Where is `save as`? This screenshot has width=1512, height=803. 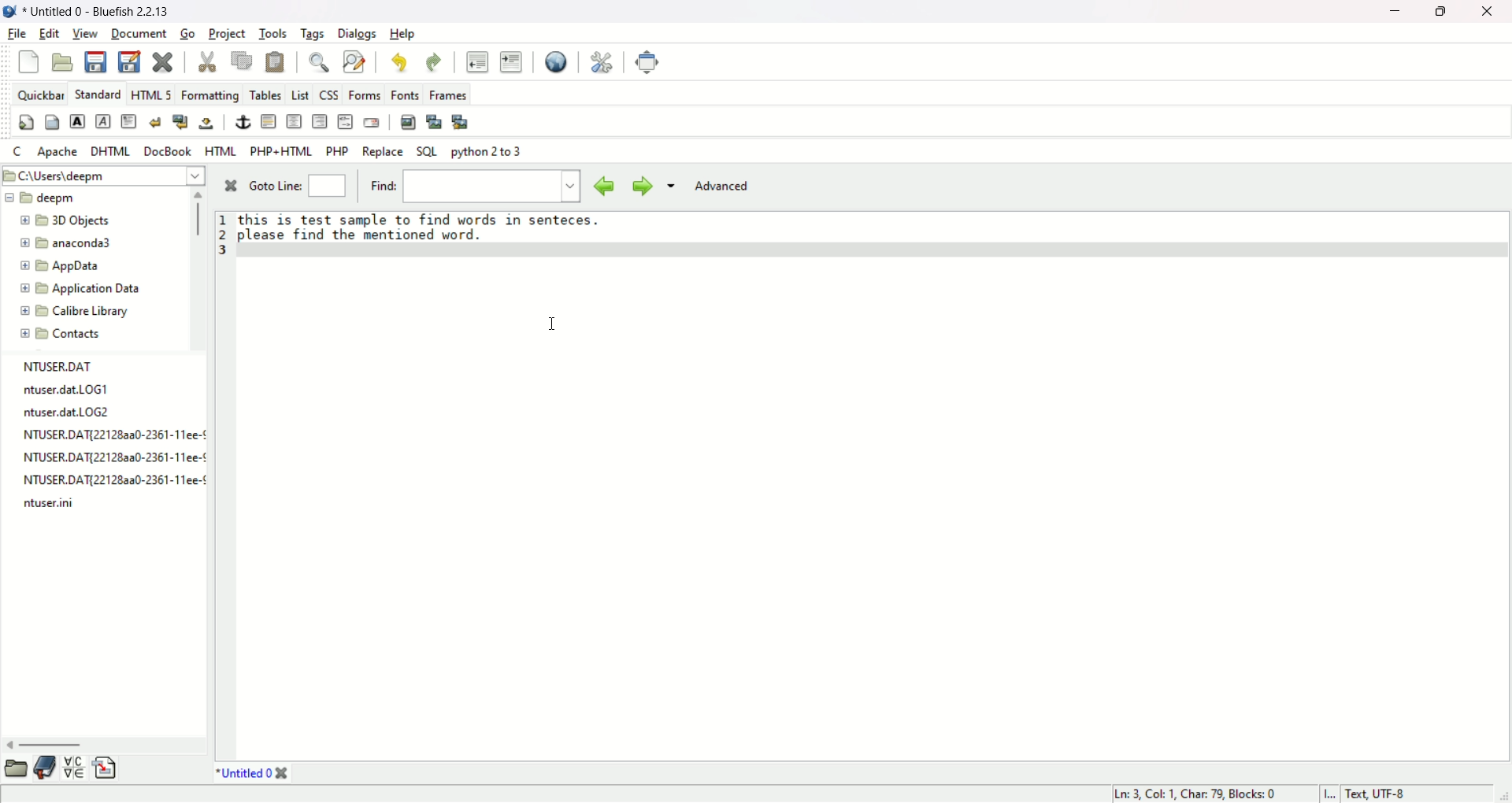
save as is located at coordinates (130, 60).